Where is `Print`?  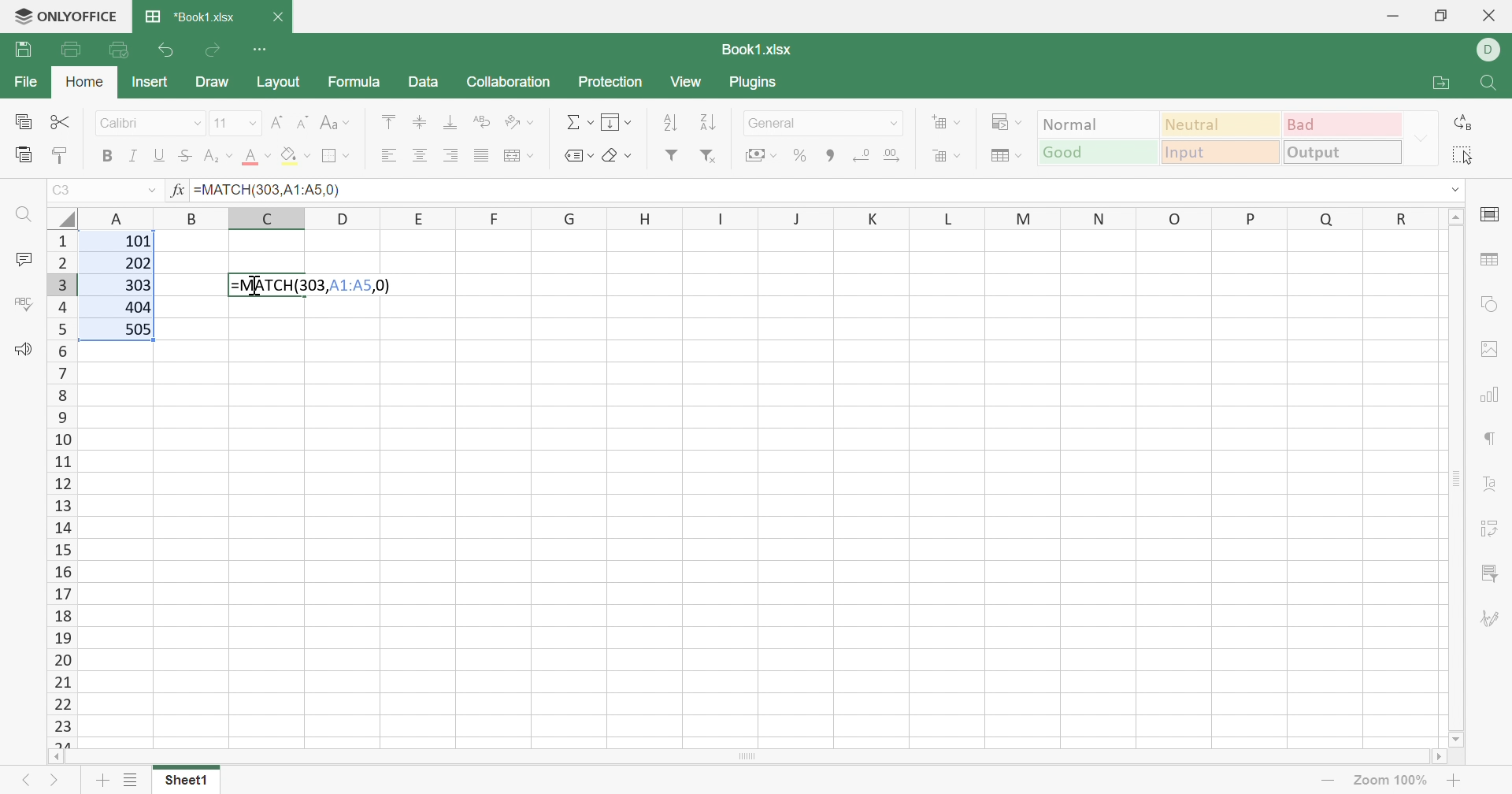 Print is located at coordinates (72, 48).